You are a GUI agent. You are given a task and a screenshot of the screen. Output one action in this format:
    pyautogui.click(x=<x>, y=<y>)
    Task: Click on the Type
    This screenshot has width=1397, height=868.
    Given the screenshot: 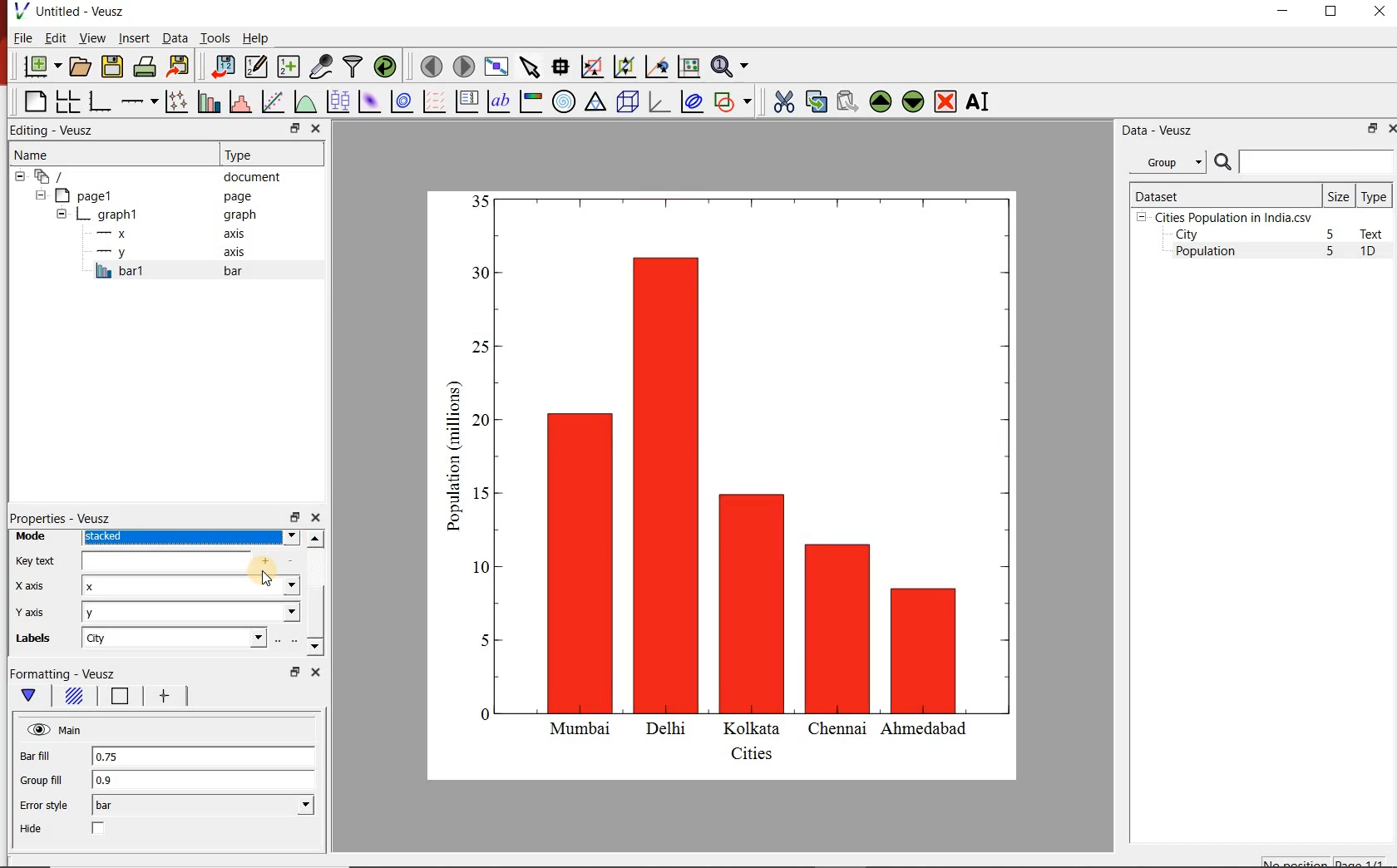 What is the action you would take?
    pyautogui.click(x=1375, y=195)
    